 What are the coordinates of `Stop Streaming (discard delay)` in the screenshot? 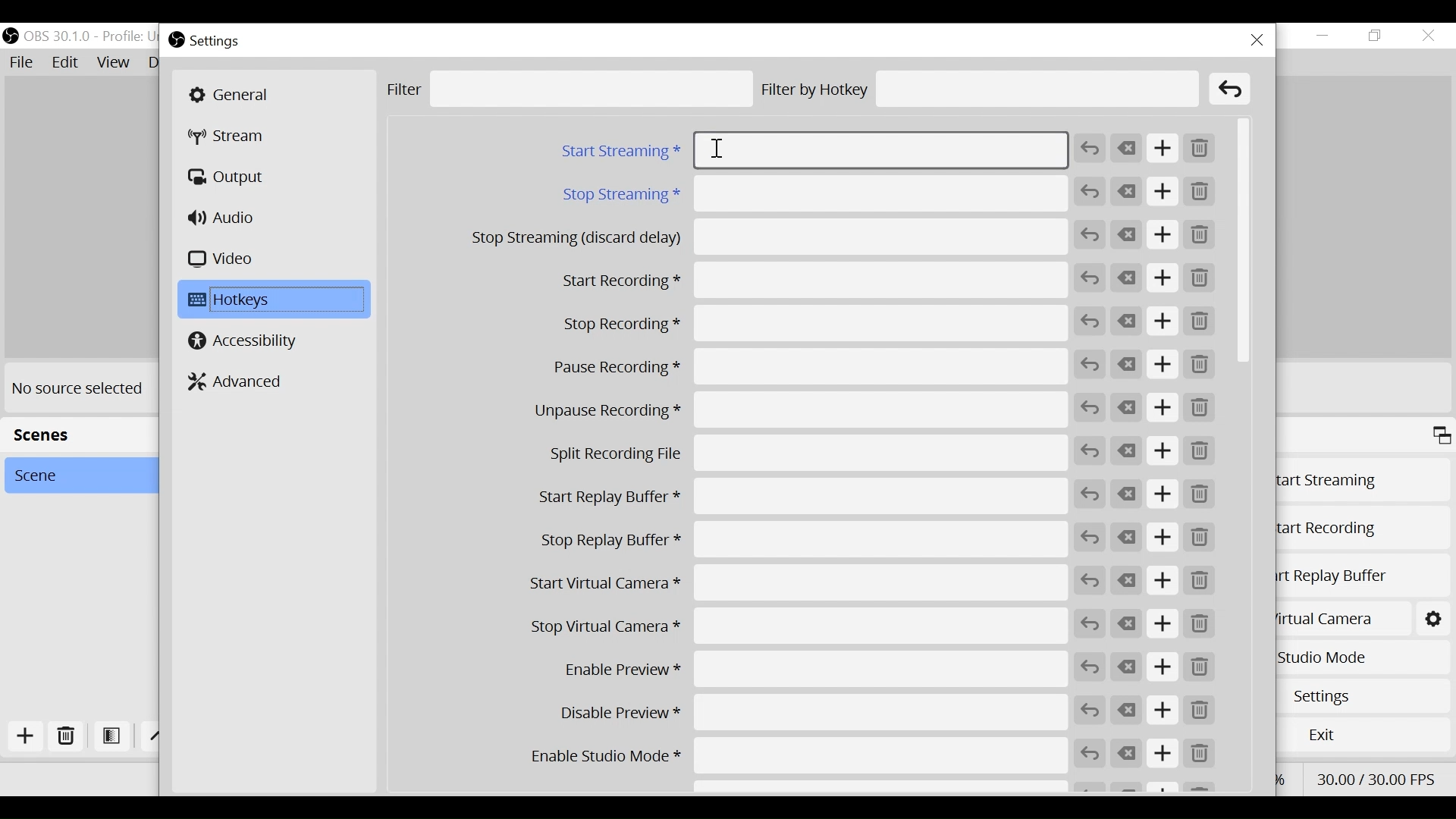 It's located at (770, 237).